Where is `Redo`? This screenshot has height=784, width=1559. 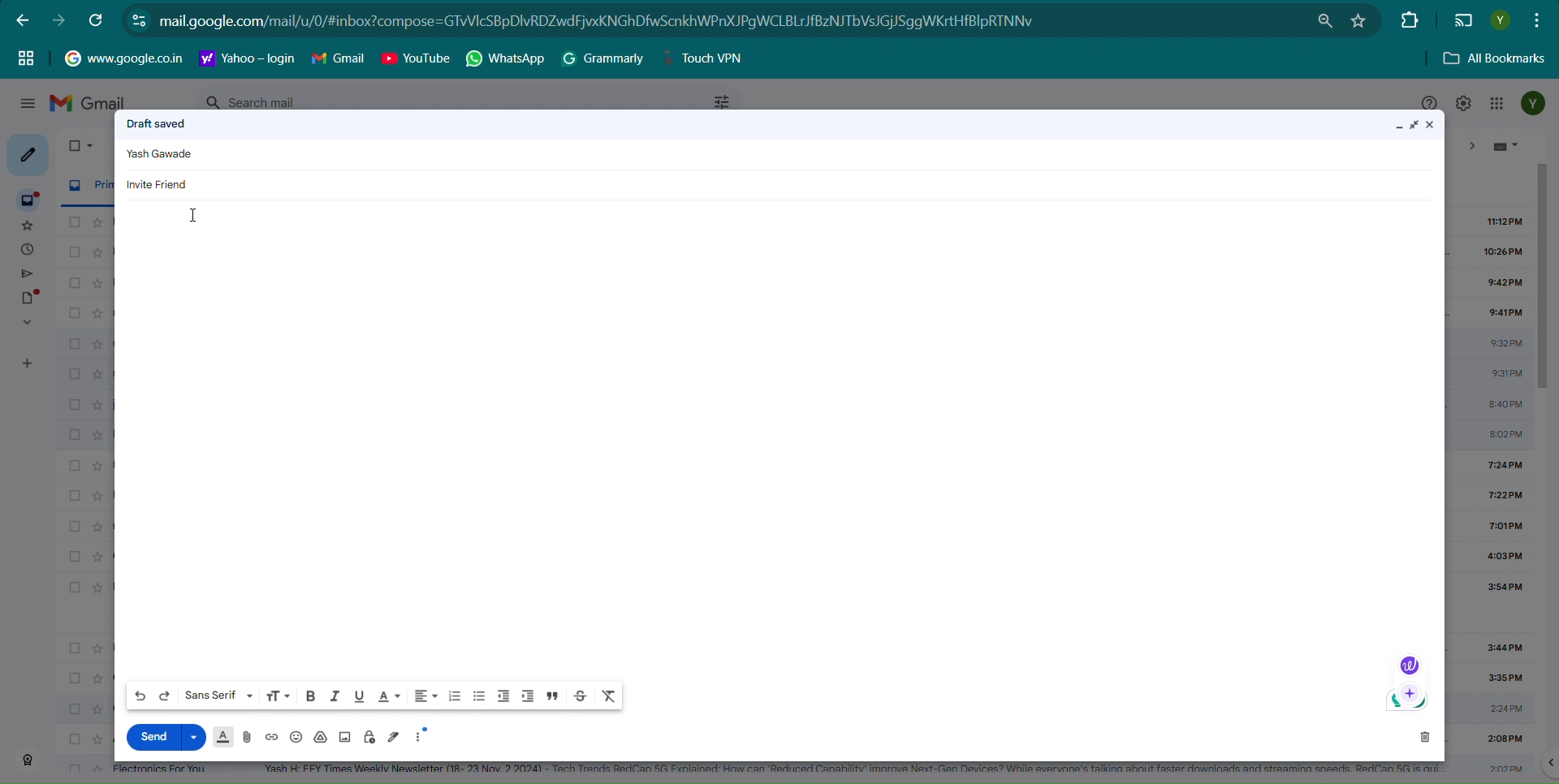 Redo is located at coordinates (165, 696).